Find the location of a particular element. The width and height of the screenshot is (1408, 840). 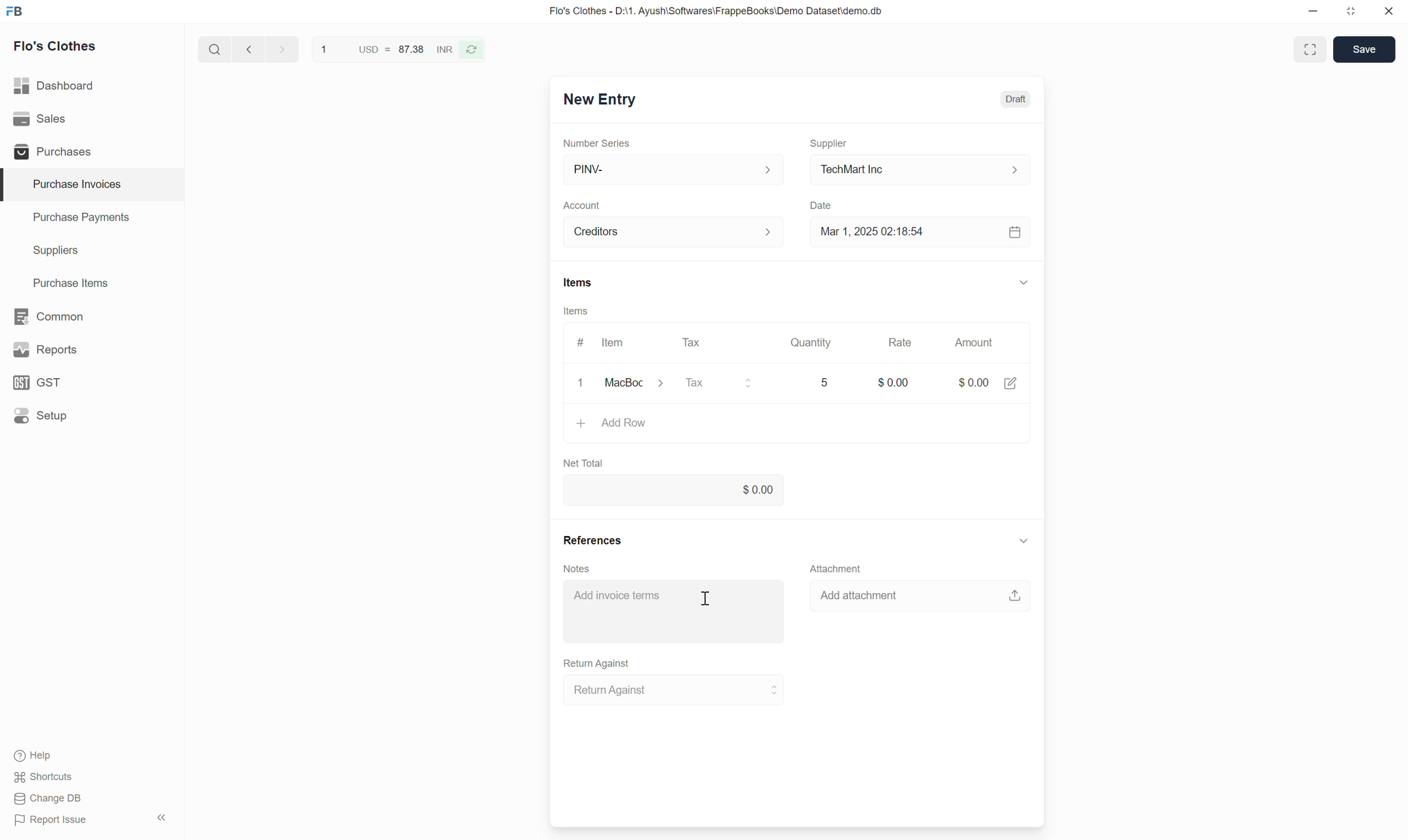

$0.00 is located at coordinates (893, 378).